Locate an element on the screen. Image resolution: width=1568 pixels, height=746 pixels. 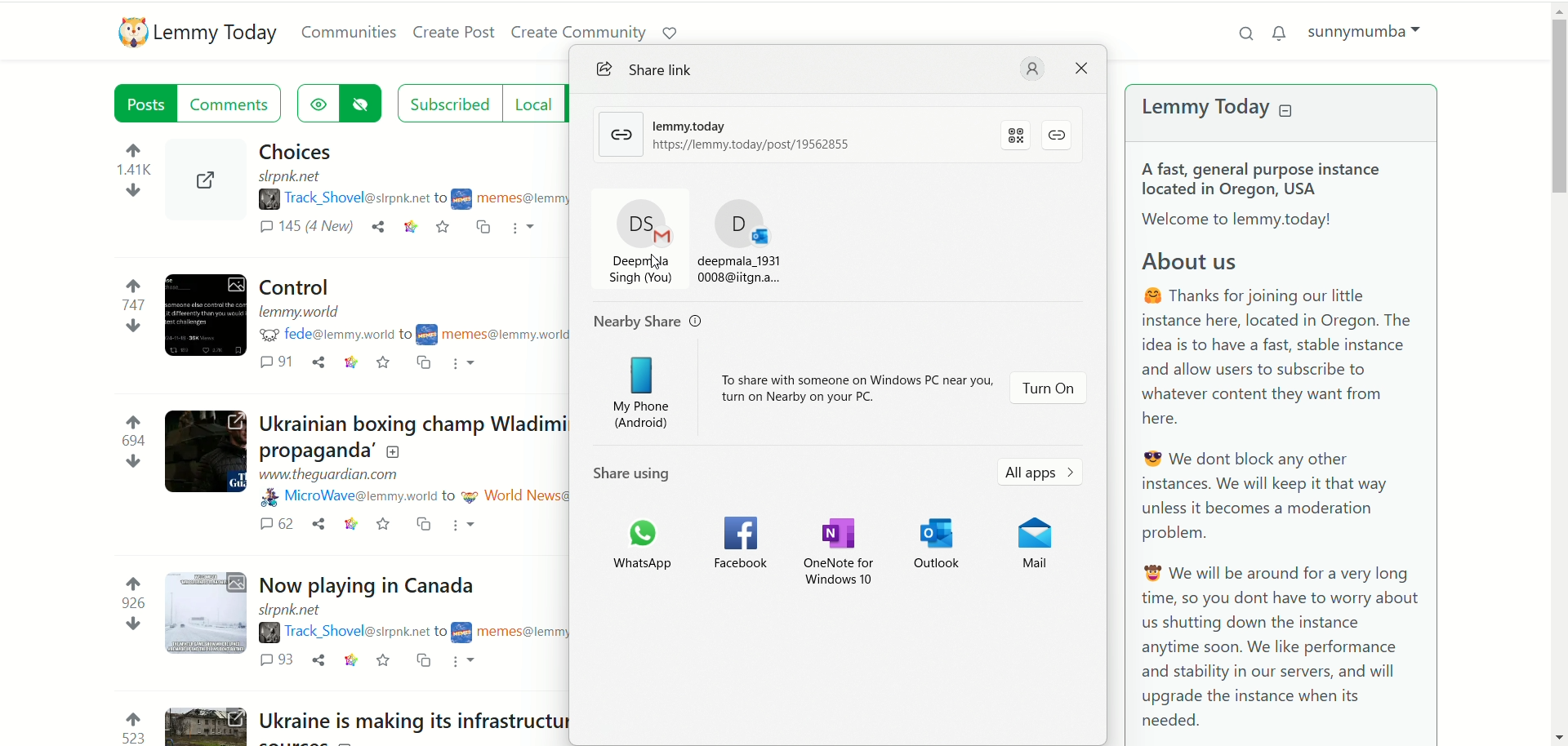
nearby share is located at coordinates (645, 322).